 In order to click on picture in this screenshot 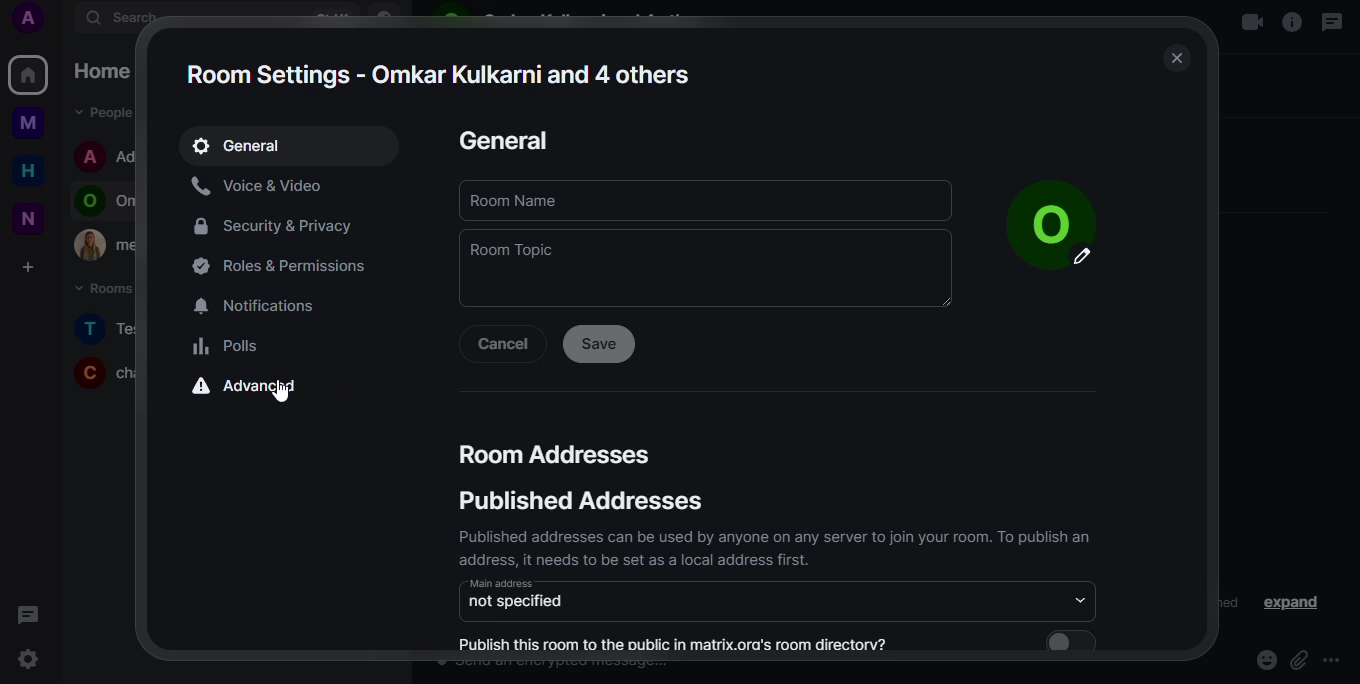, I will do `click(1058, 227)`.